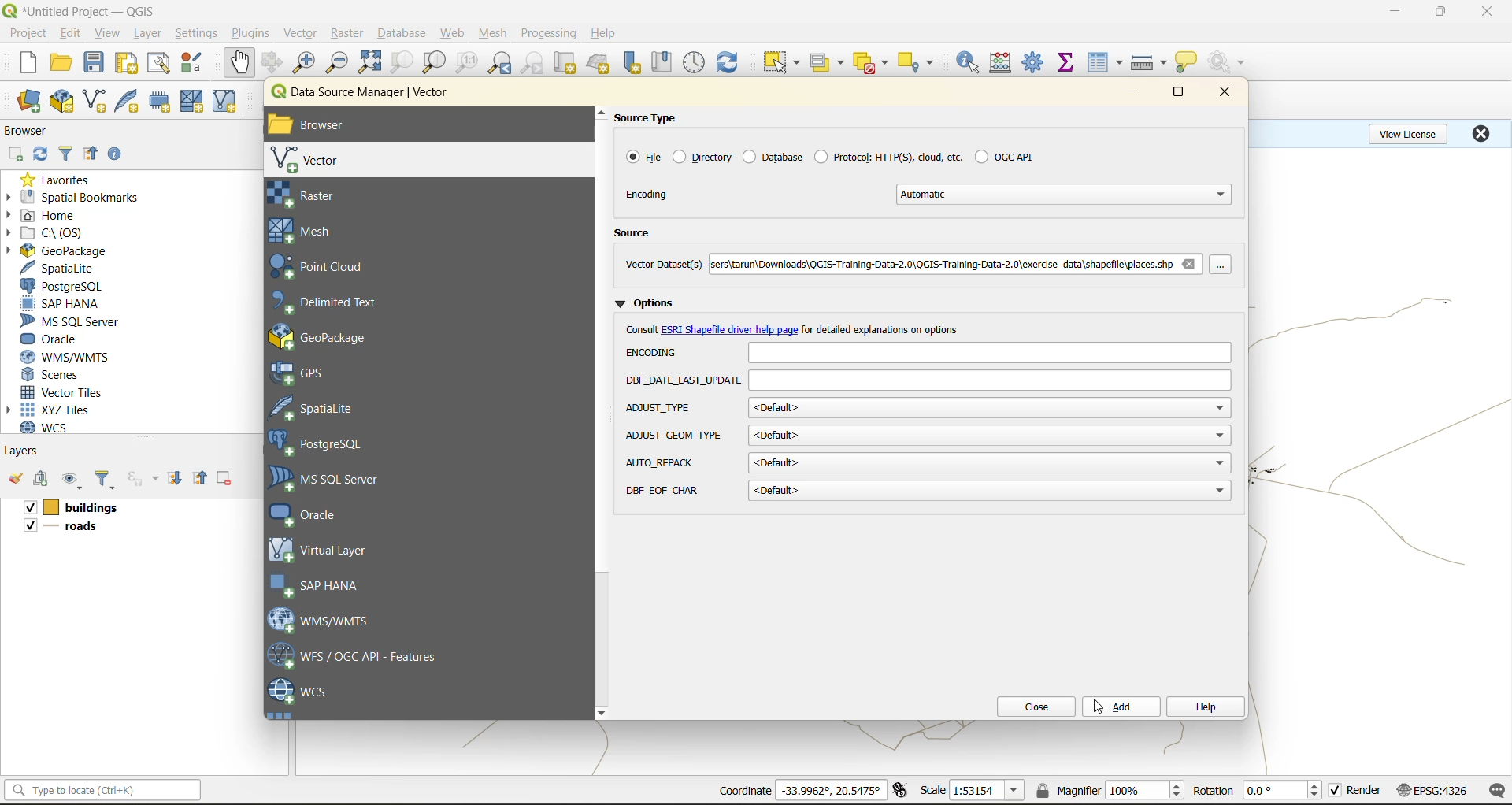 This screenshot has height=805, width=1512. What do you see at coordinates (26, 62) in the screenshot?
I see `new` at bounding box center [26, 62].